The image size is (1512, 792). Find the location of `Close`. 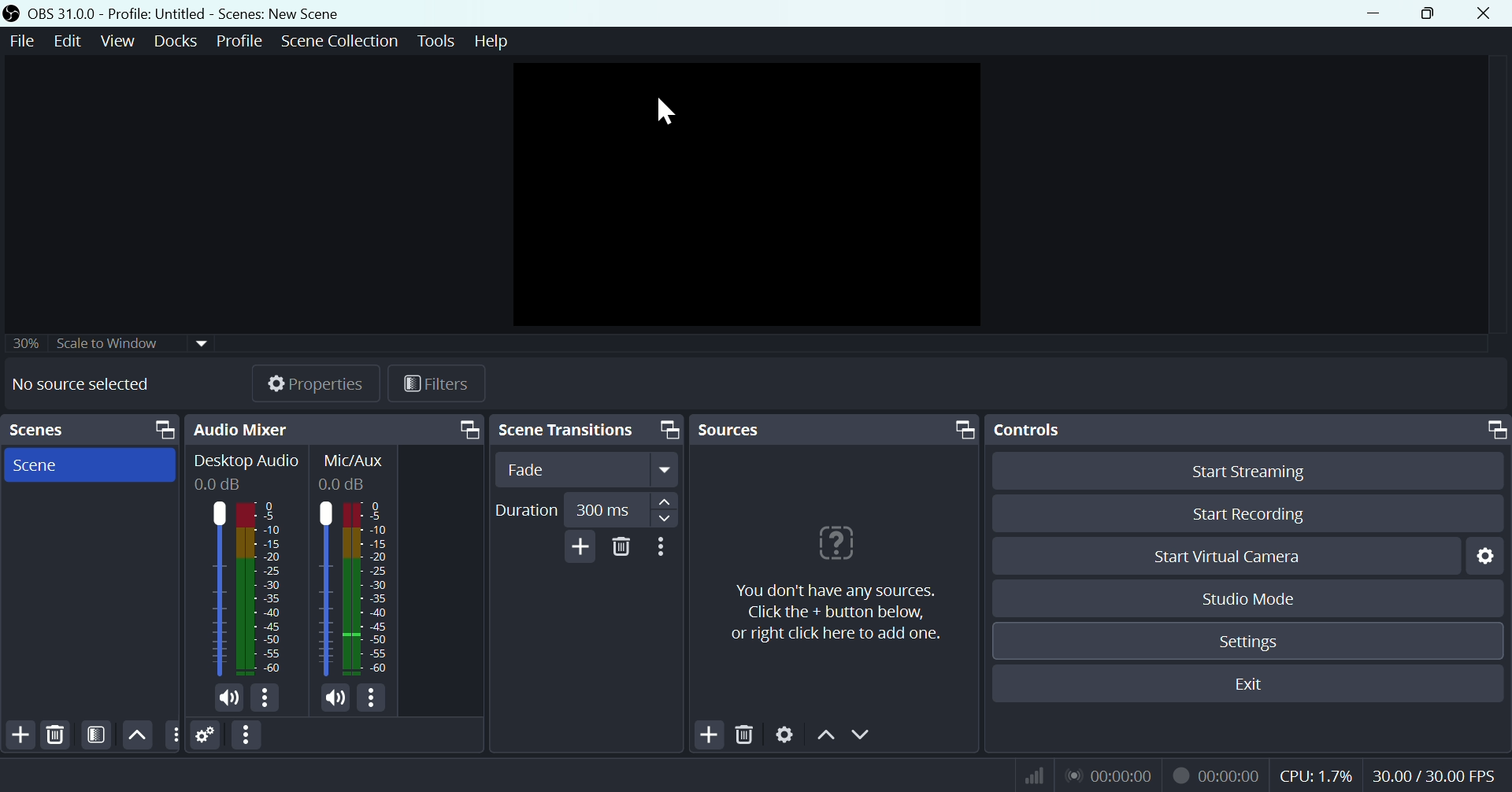

Close is located at coordinates (1480, 14).